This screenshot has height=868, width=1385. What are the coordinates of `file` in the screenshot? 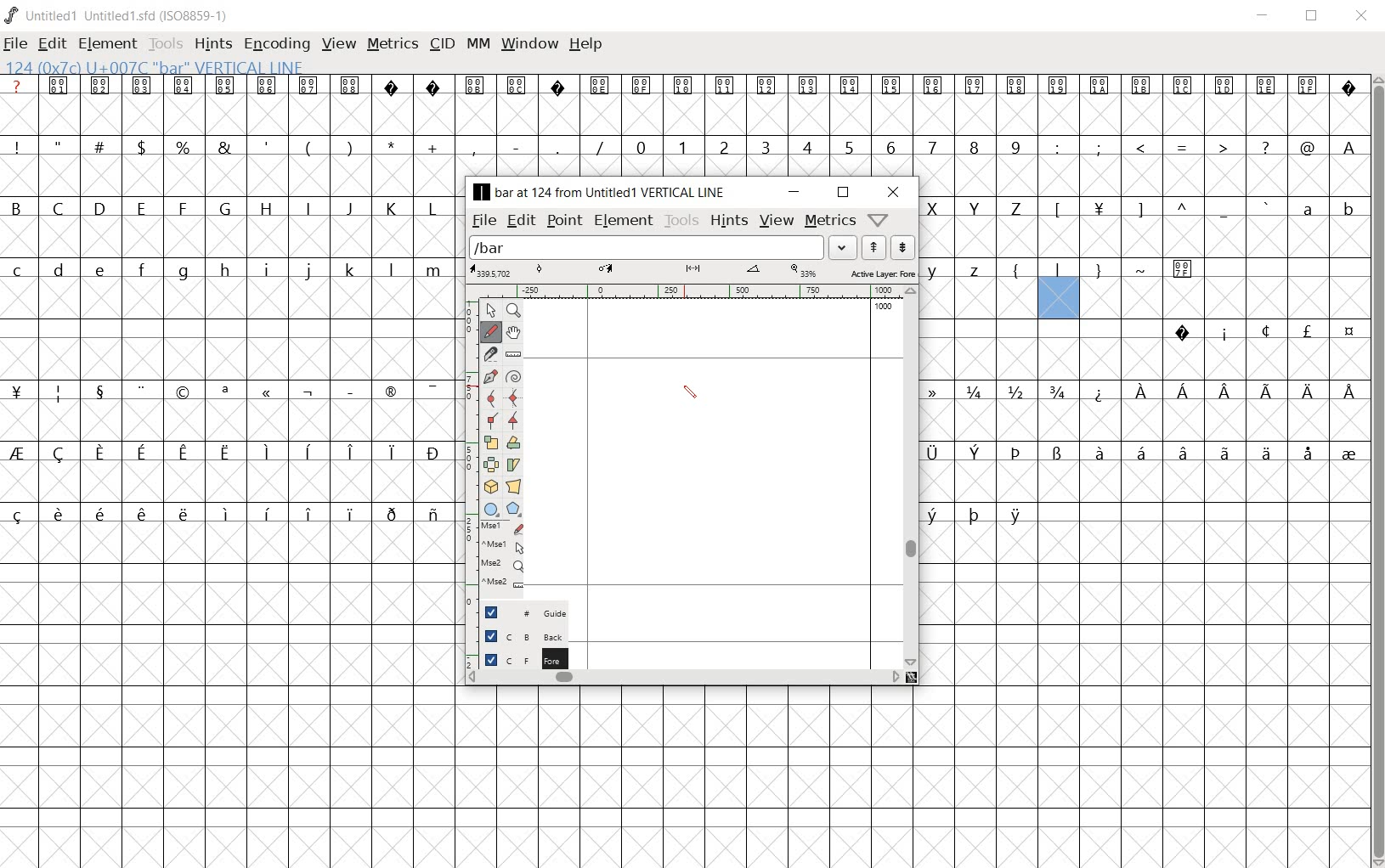 It's located at (14, 45).